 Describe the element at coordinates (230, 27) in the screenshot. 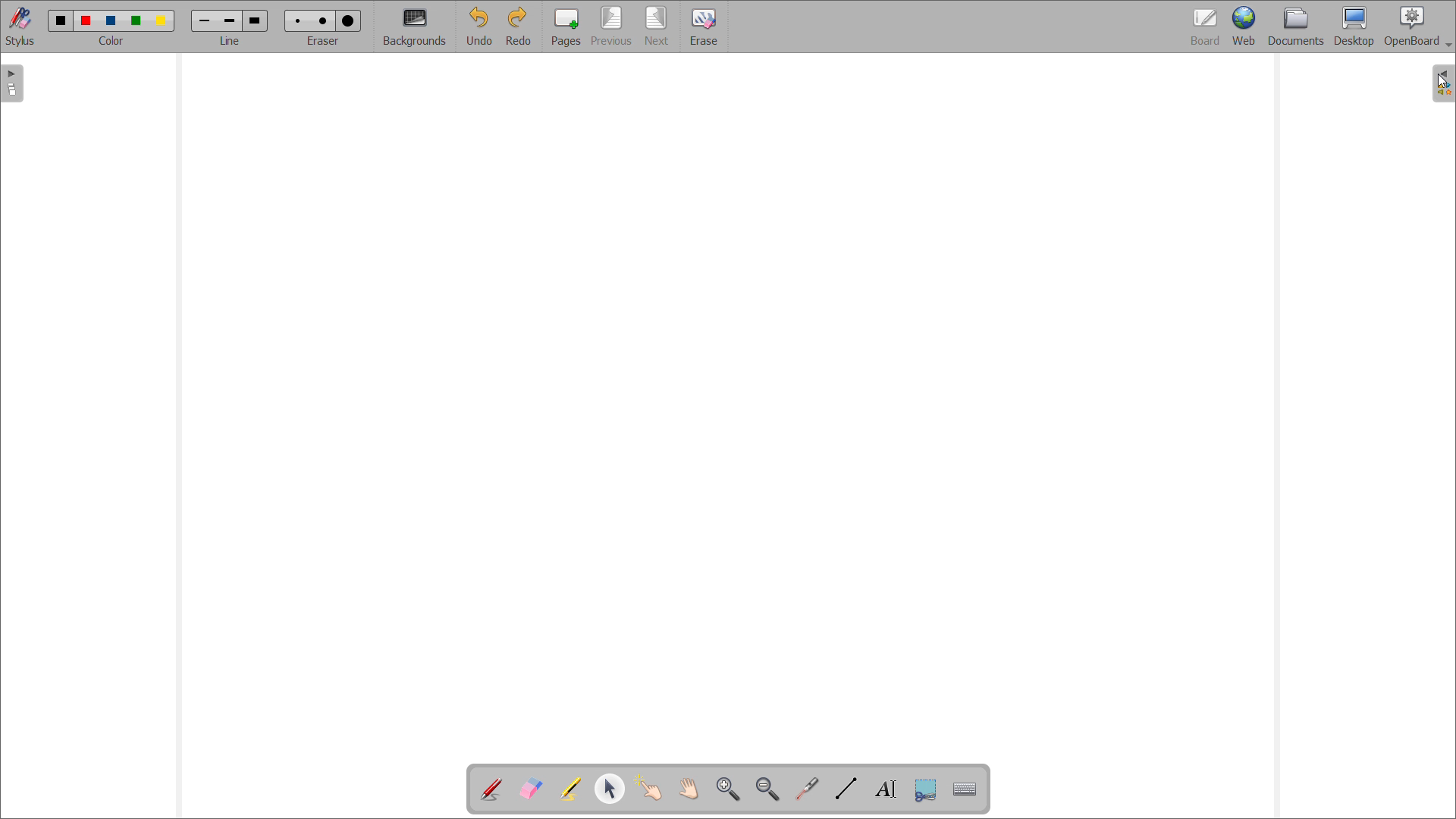

I see `select line width` at that location.